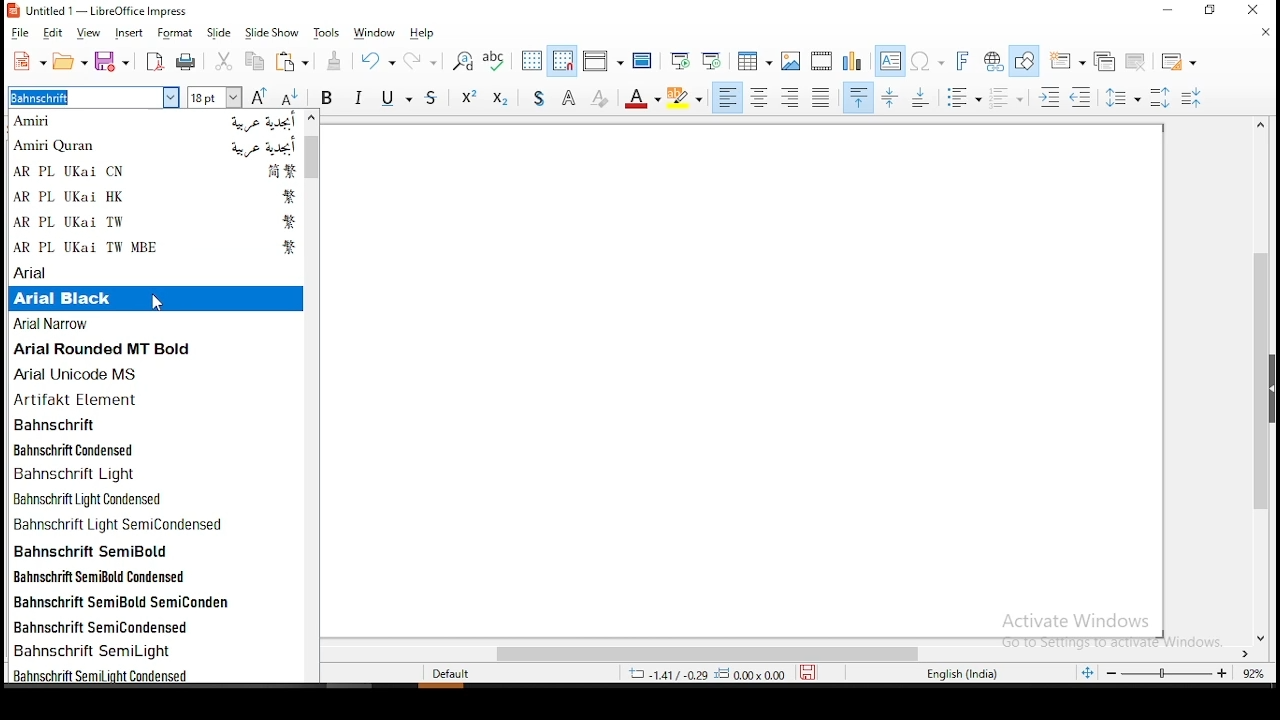 The image size is (1280, 720). I want to click on default, so click(456, 674).